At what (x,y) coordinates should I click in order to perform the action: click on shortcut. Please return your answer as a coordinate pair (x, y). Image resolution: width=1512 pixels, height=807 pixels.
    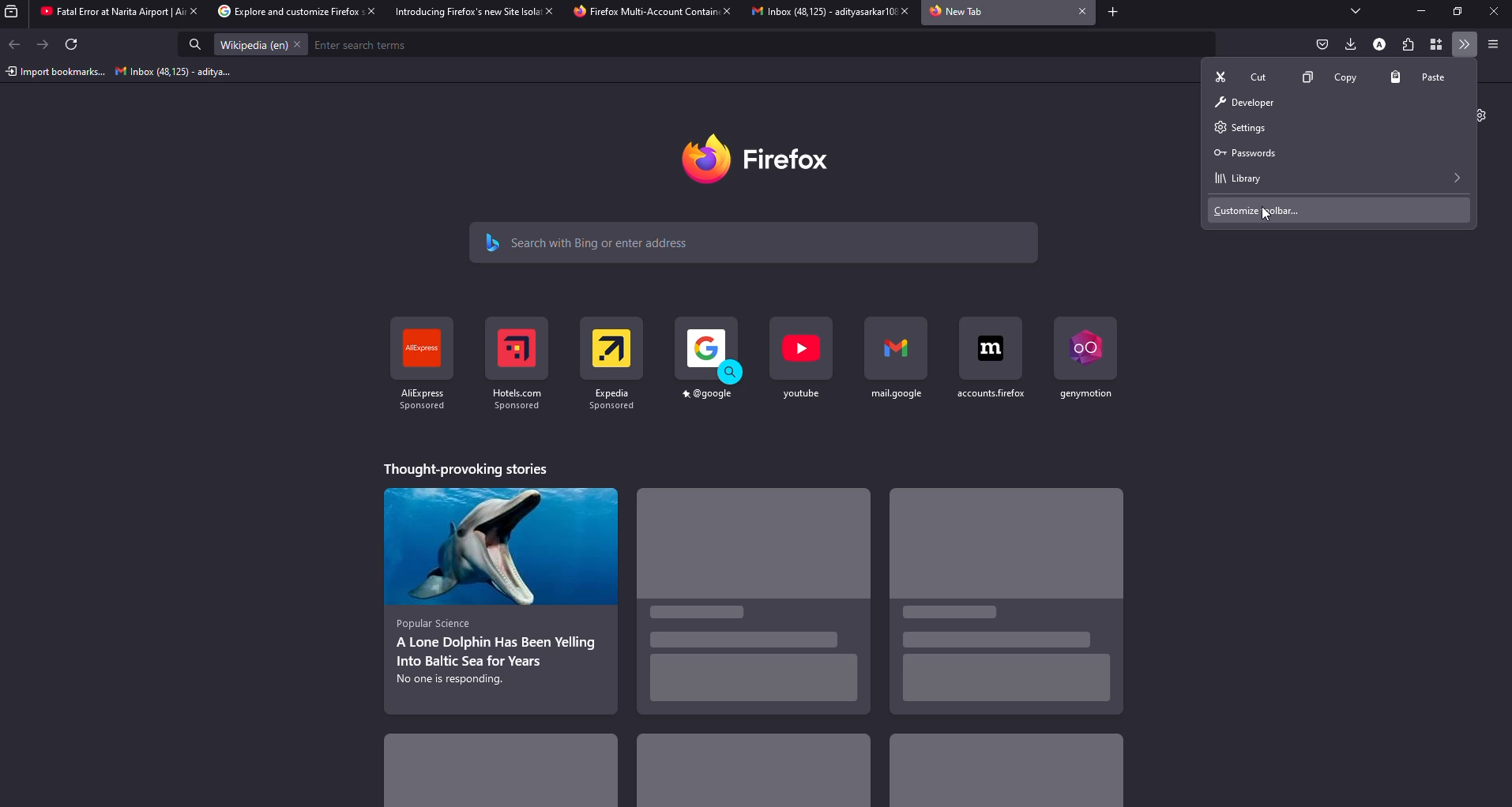
    Looking at the image, I should click on (417, 367).